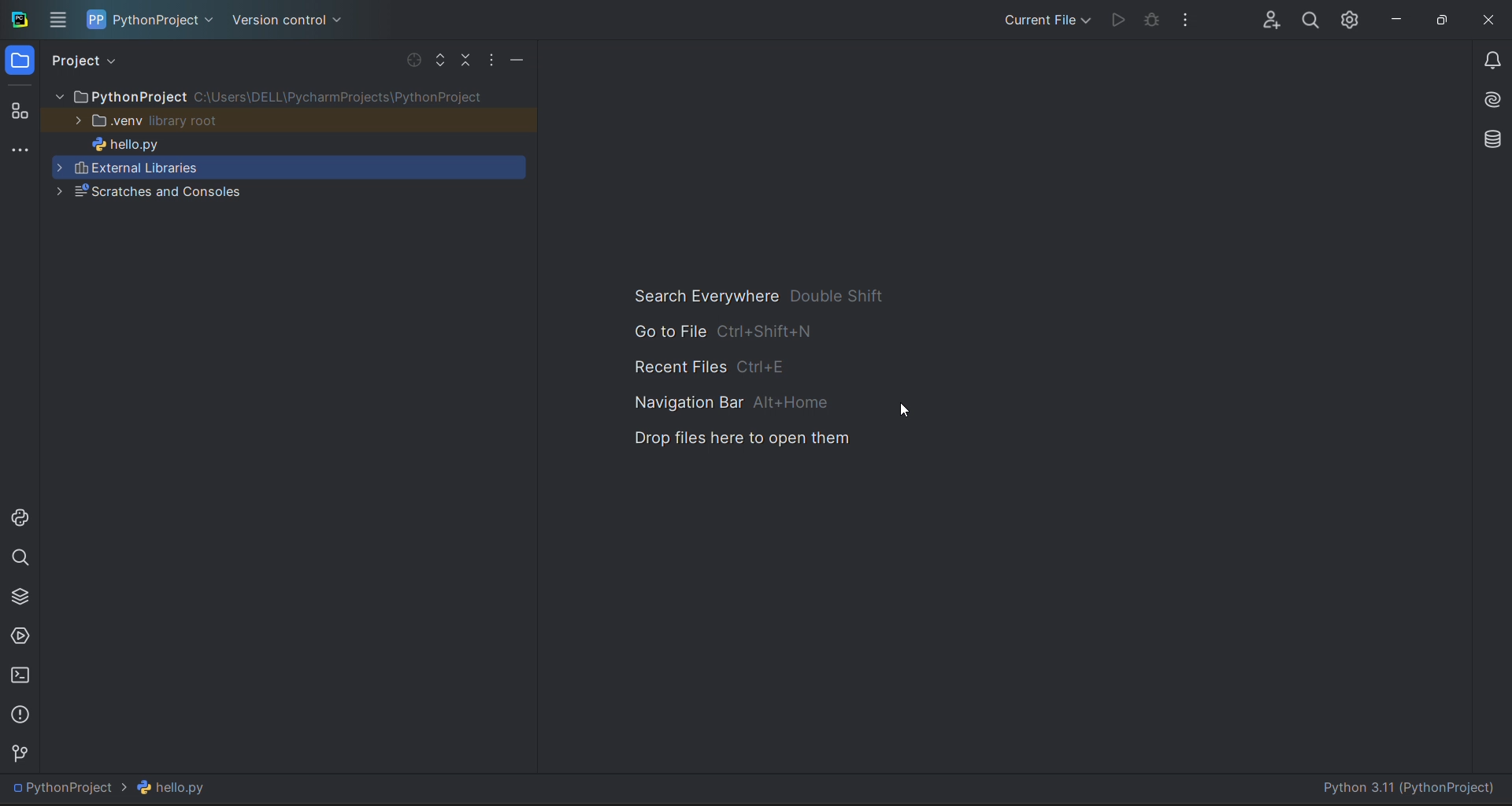 Image resolution: width=1512 pixels, height=806 pixels. I want to click on close, so click(1487, 16).